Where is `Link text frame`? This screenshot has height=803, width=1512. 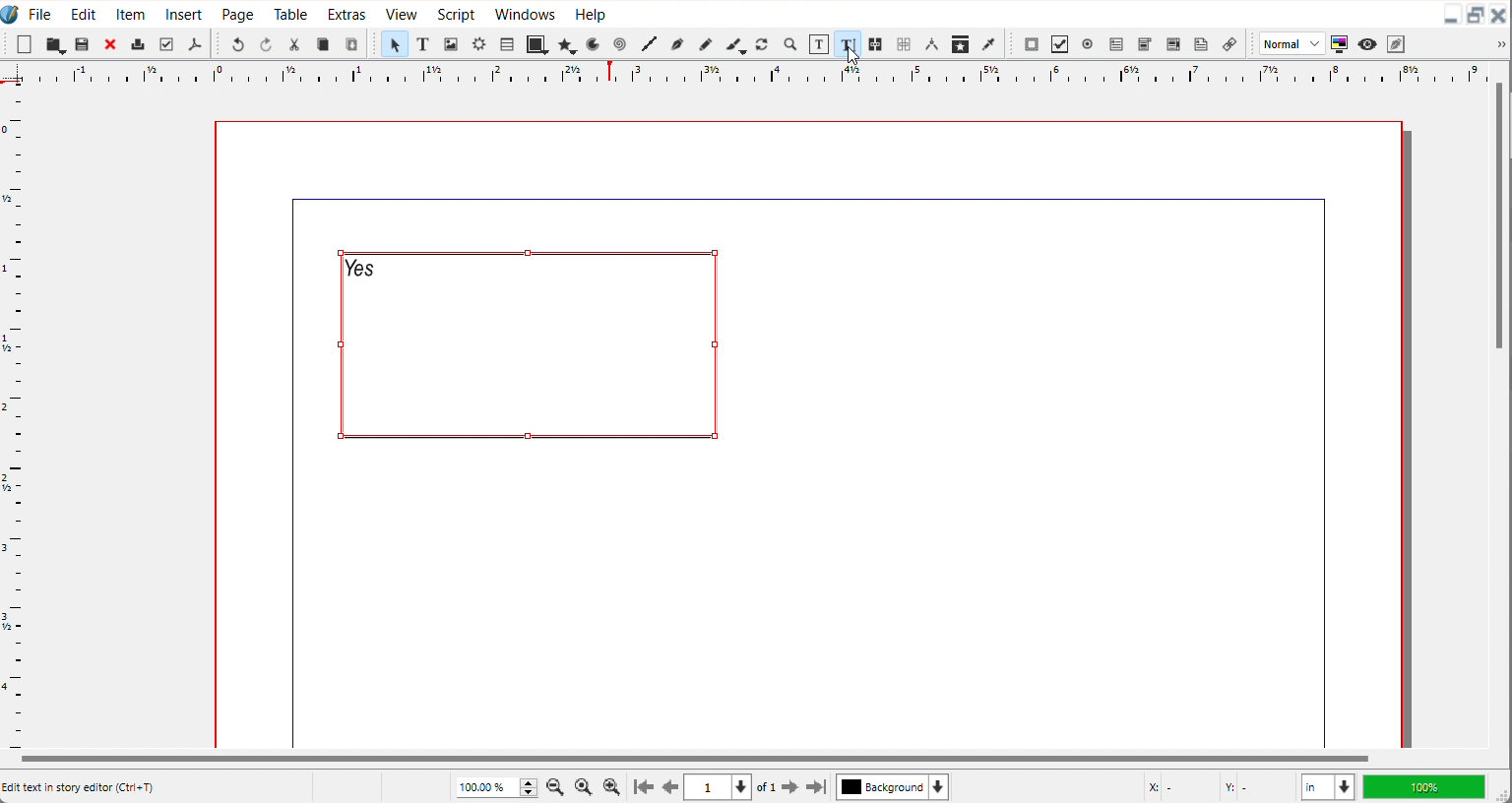
Link text frame is located at coordinates (876, 45).